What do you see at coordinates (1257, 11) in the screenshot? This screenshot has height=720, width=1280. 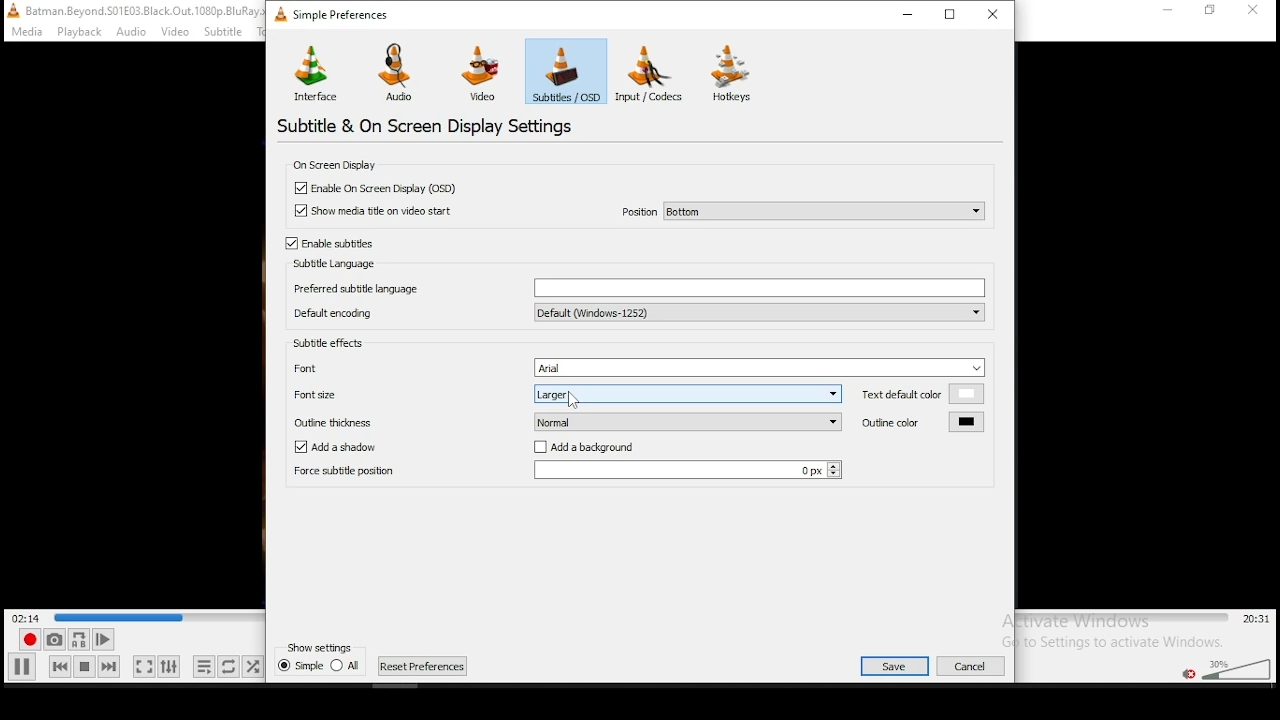 I see `` at bounding box center [1257, 11].